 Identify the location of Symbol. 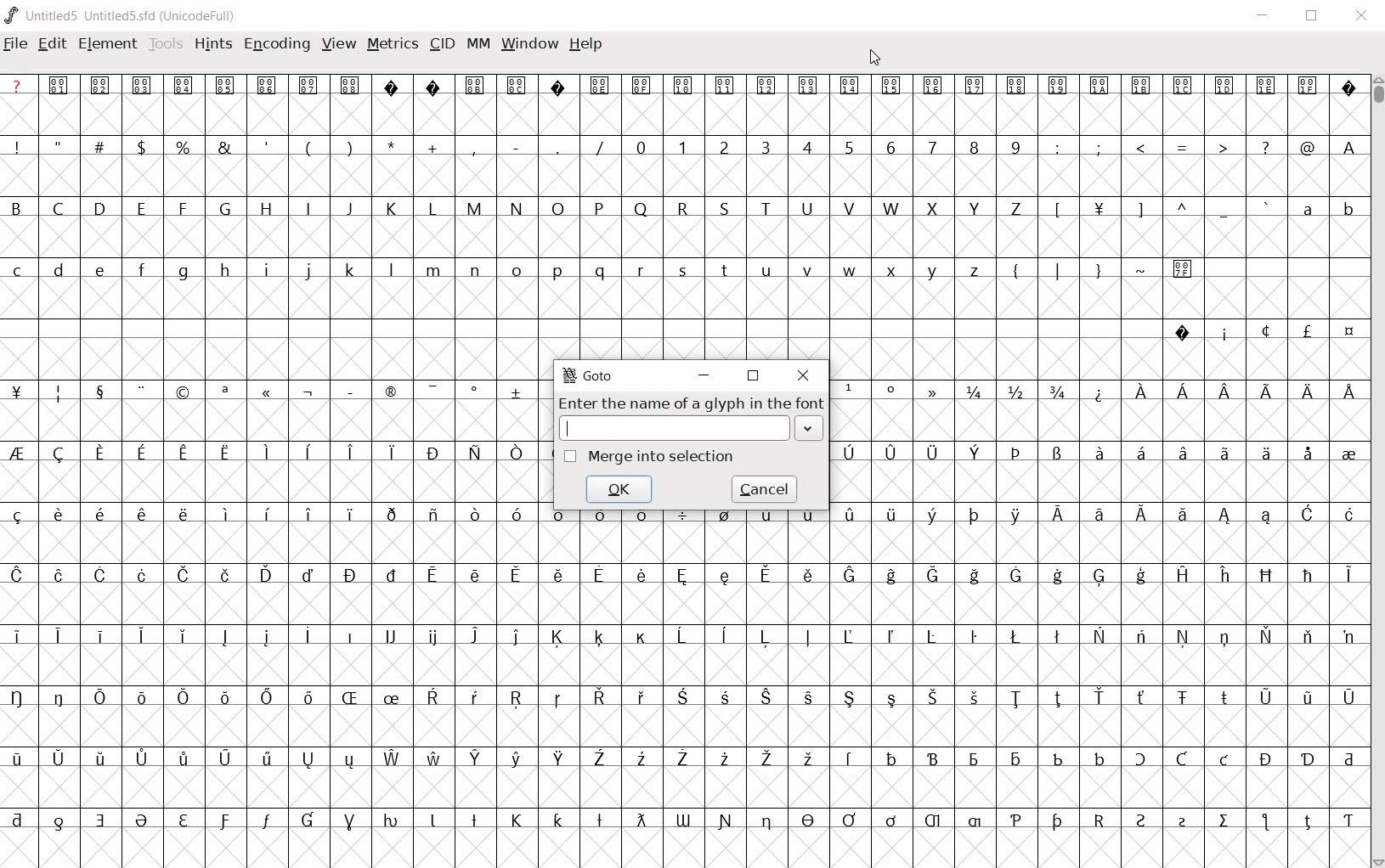
(1100, 696).